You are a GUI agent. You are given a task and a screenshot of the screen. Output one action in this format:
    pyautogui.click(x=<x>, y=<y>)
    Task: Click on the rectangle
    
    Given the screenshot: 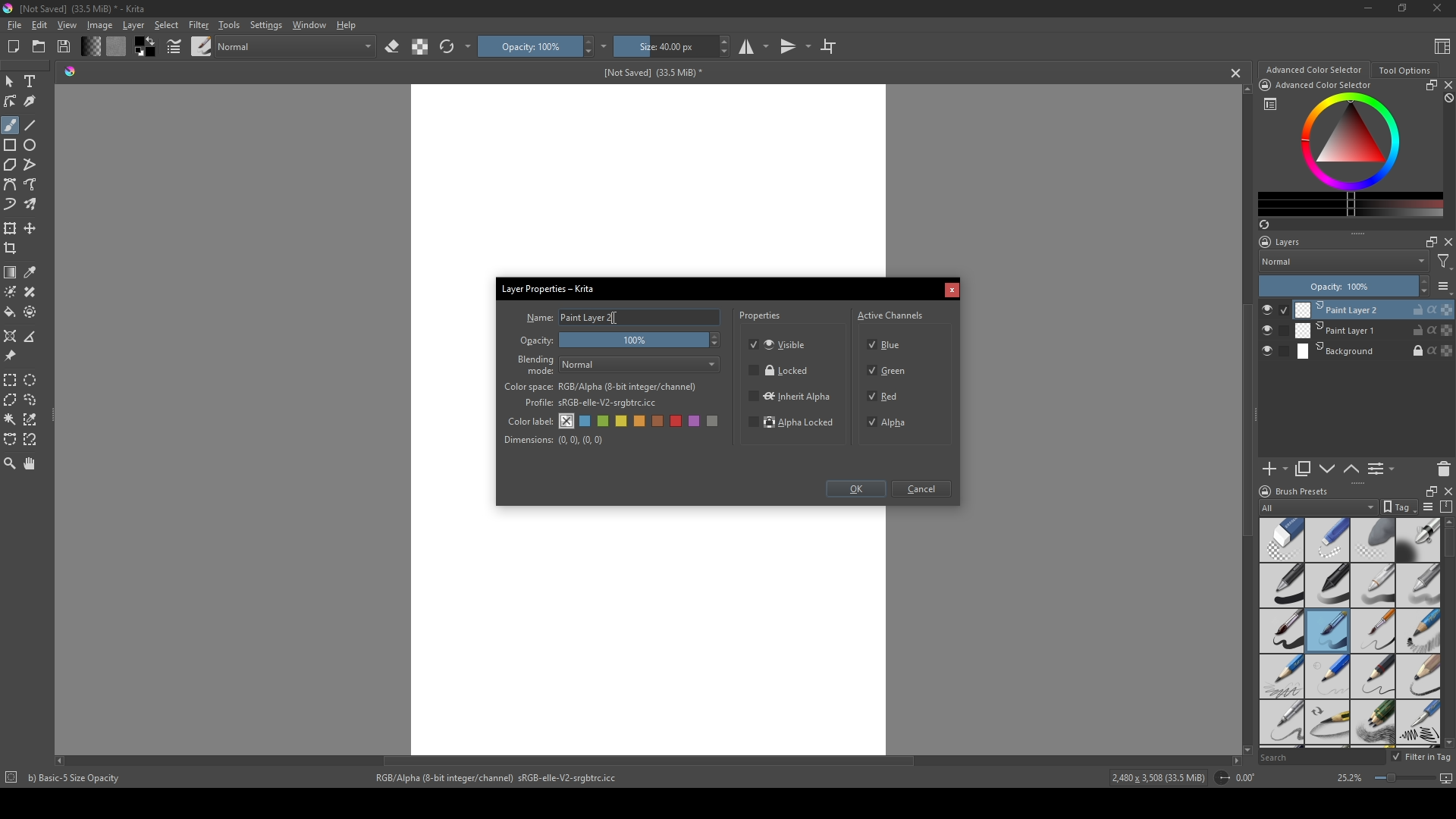 What is the action you would take?
    pyautogui.click(x=11, y=146)
    